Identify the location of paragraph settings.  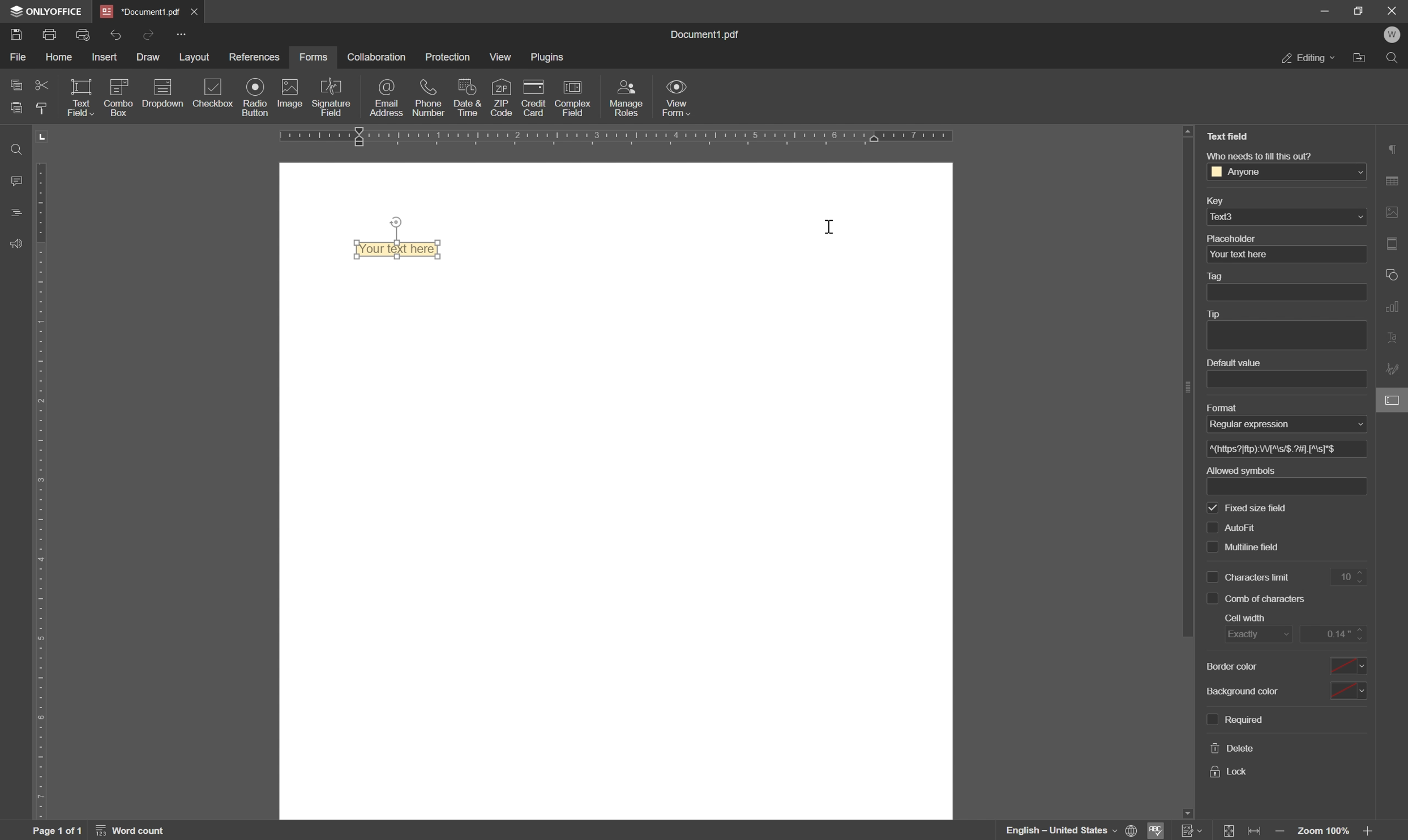
(1394, 148).